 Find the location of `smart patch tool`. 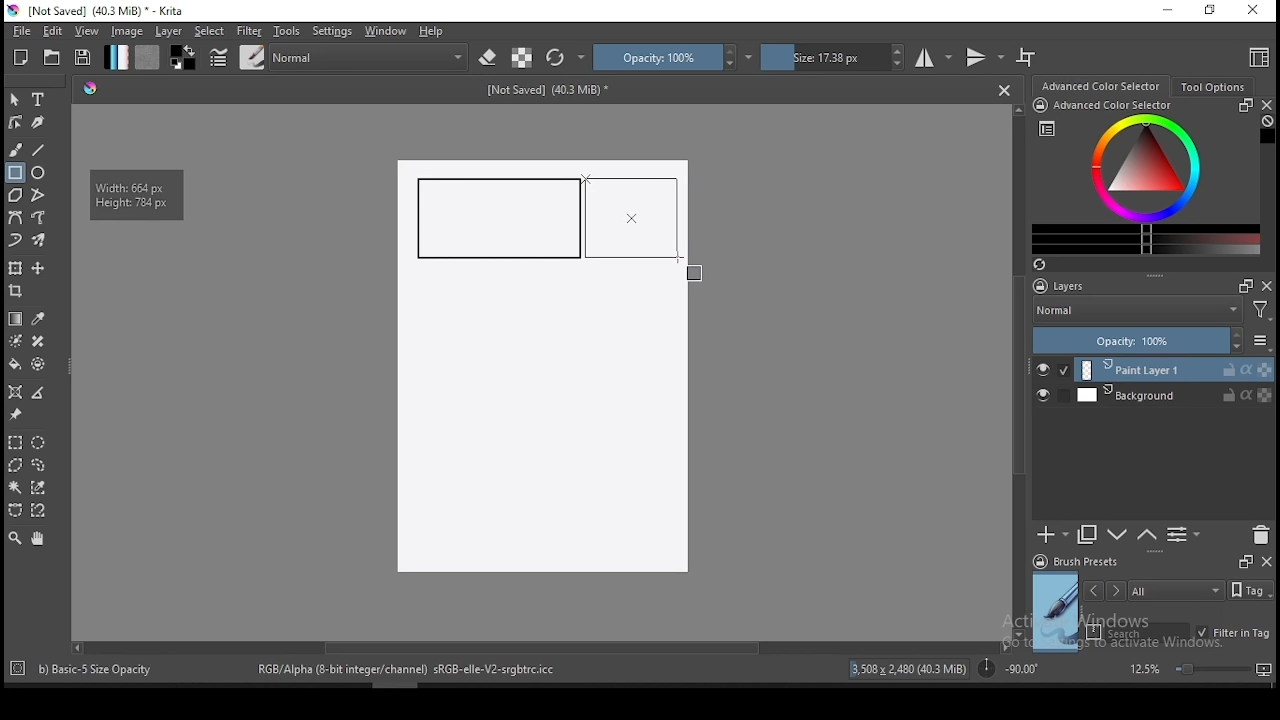

smart patch tool is located at coordinates (38, 341).